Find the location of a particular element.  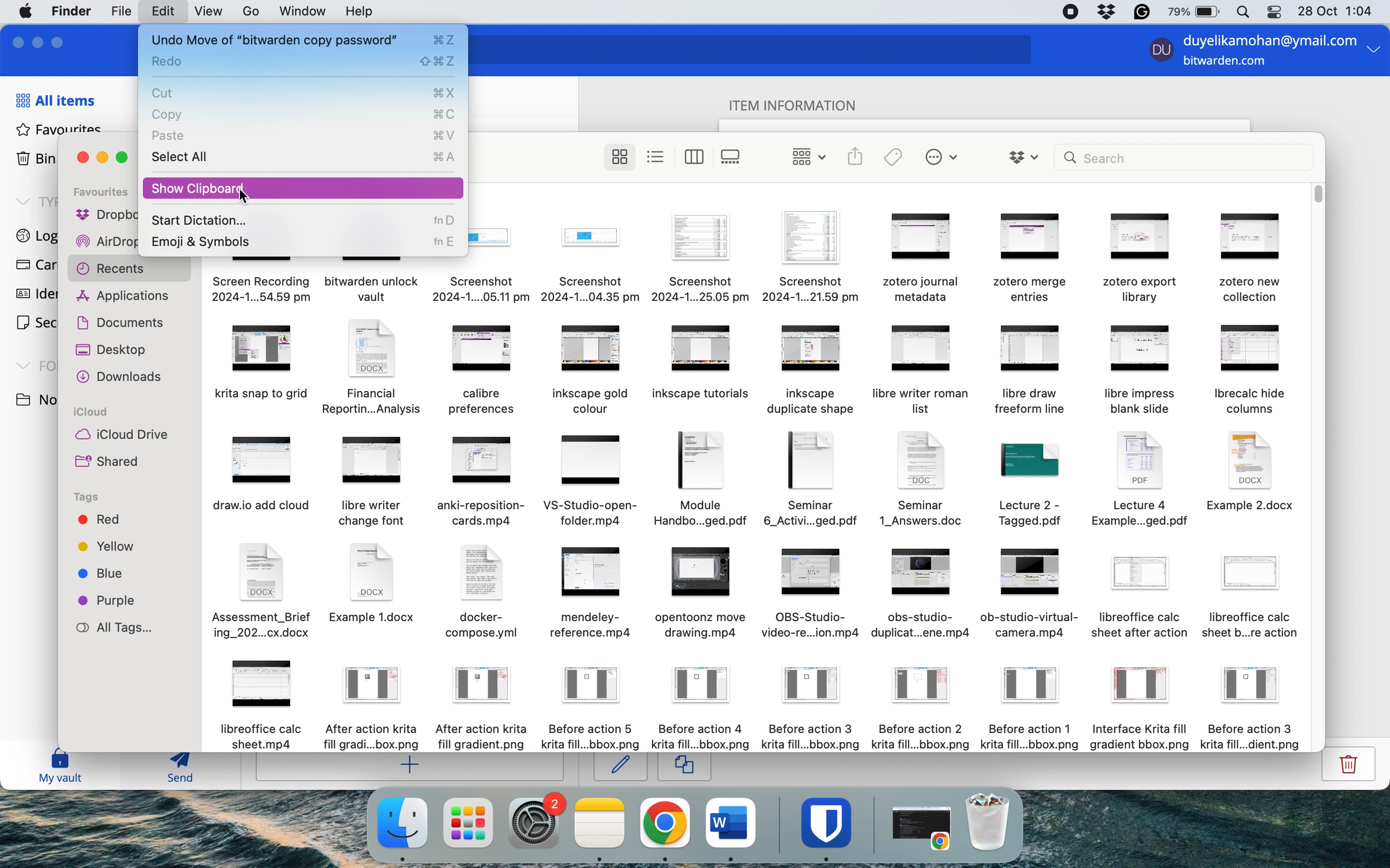

user profile is located at coordinates (1158, 52).